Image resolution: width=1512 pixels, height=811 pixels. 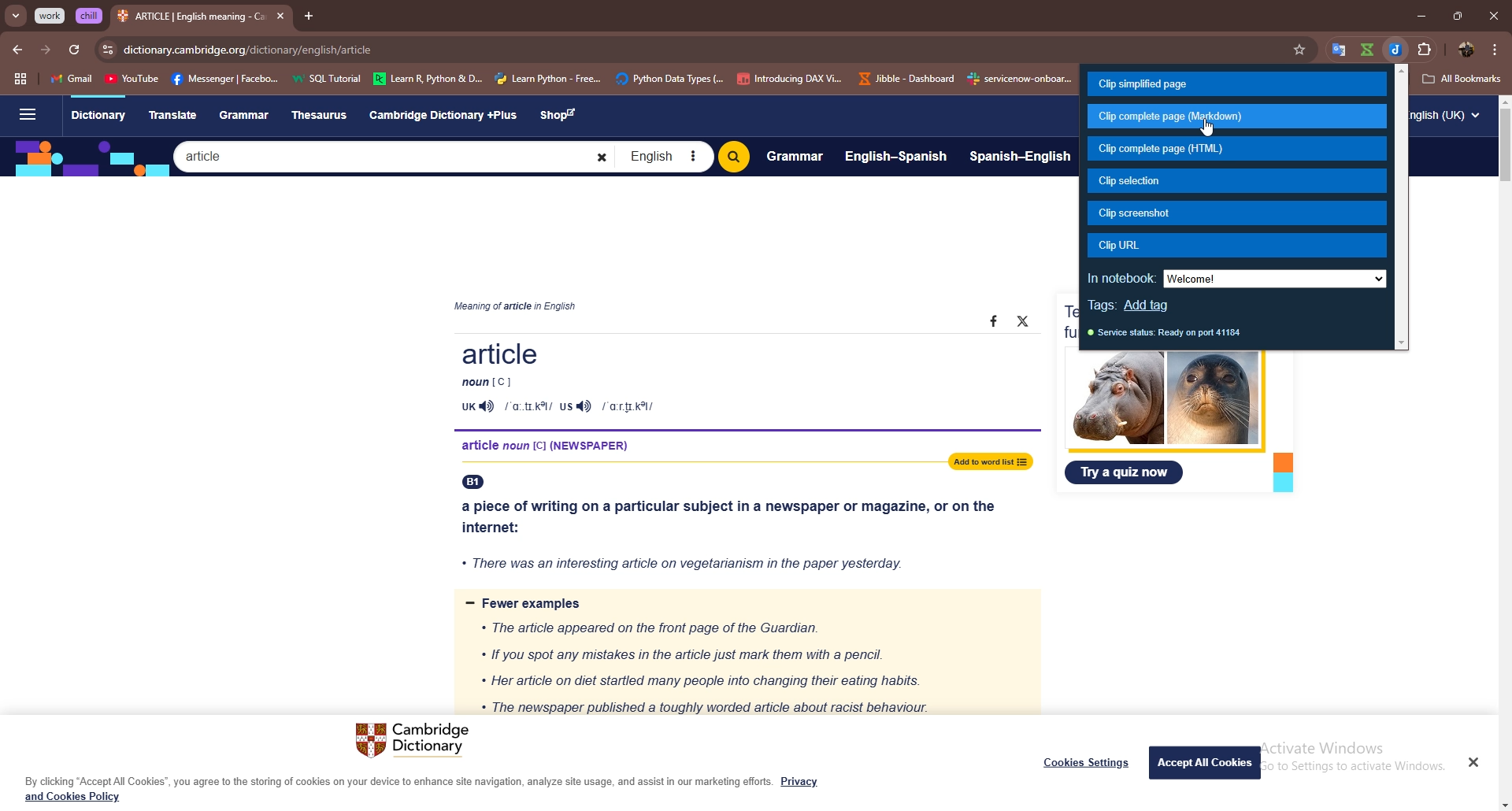 What do you see at coordinates (422, 789) in the screenshot?
I see `By clicking “Accept All Cookies”, you agree to the storing of cookies on your device to enhance site navigation, analyze site usage, and assist in our marketing efforts. Privacy
and Cookies Policy` at bounding box center [422, 789].